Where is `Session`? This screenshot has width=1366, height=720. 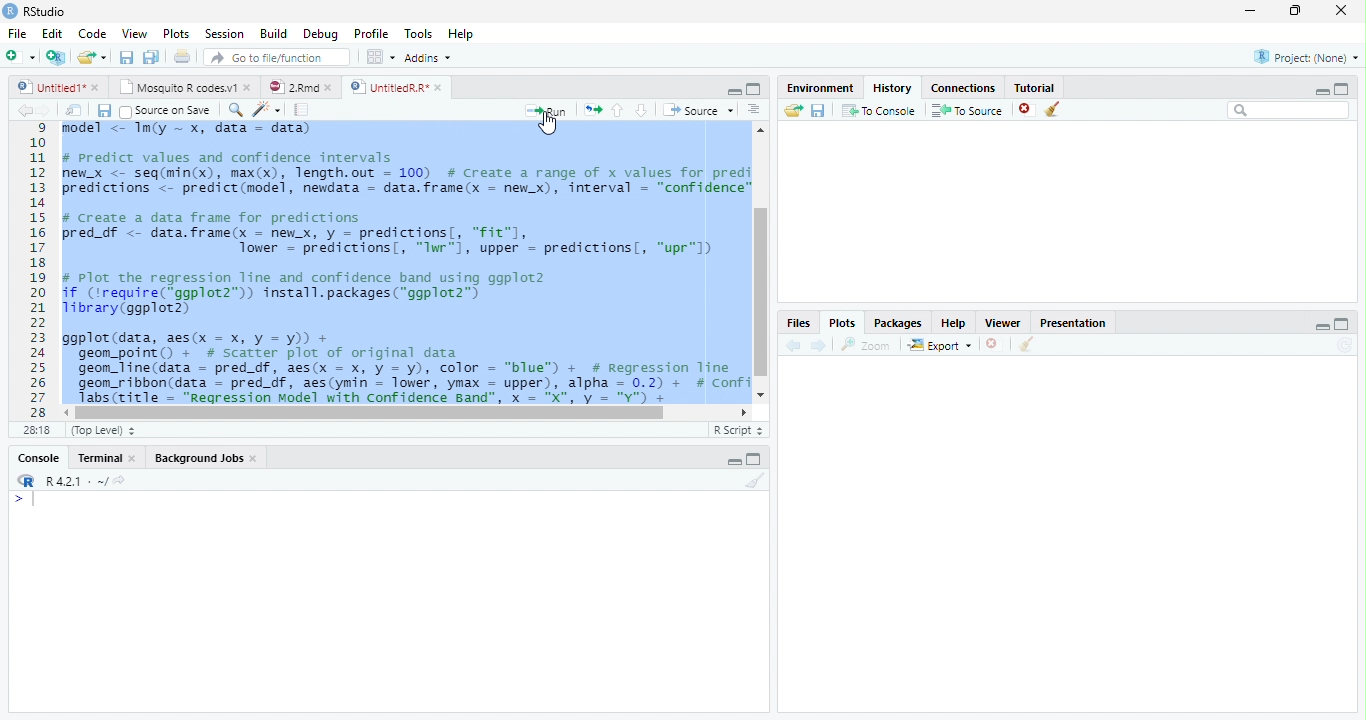
Session is located at coordinates (226, 33).